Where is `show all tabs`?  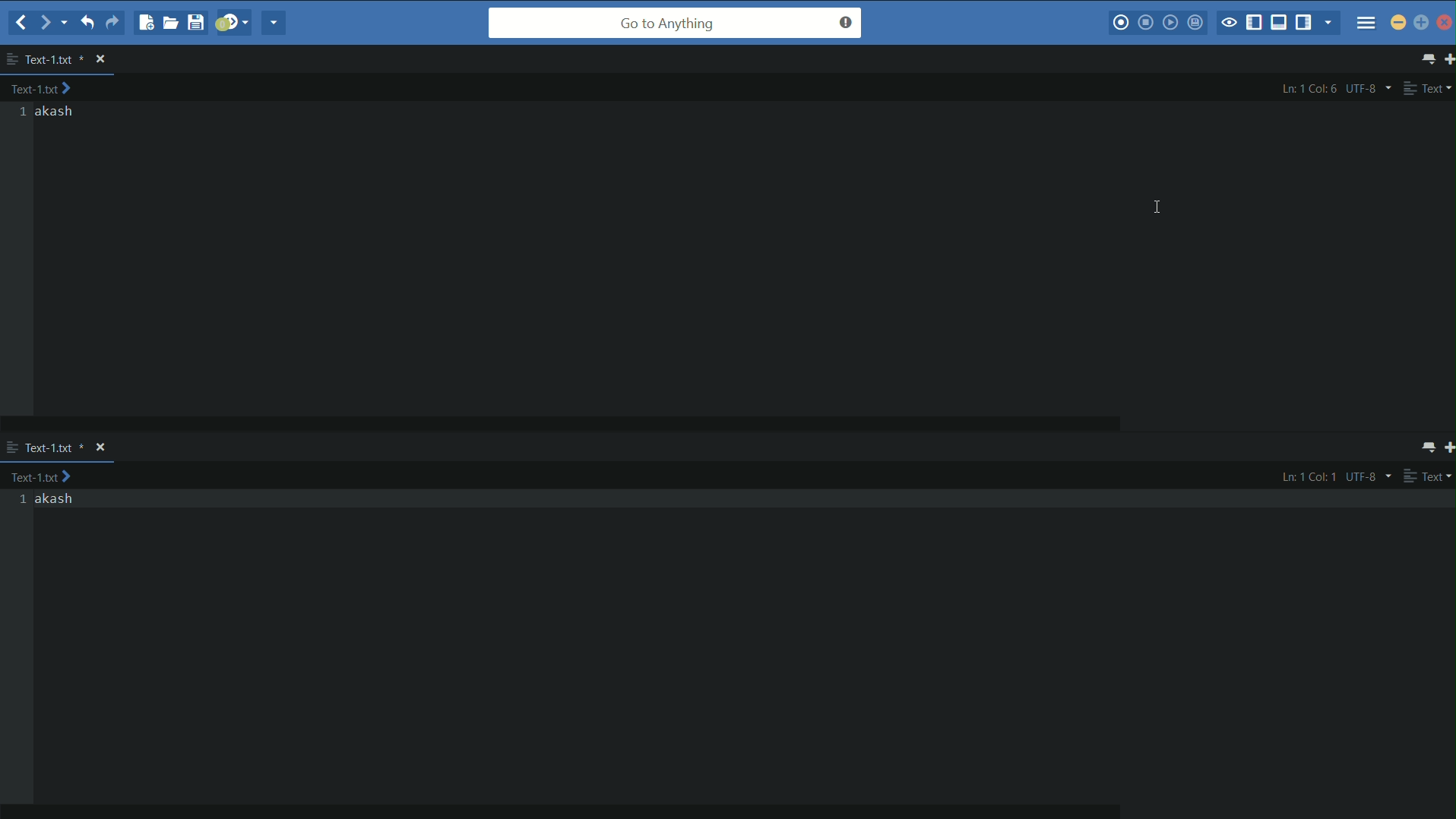
show all tabs is located at coordinates (1422, 448).